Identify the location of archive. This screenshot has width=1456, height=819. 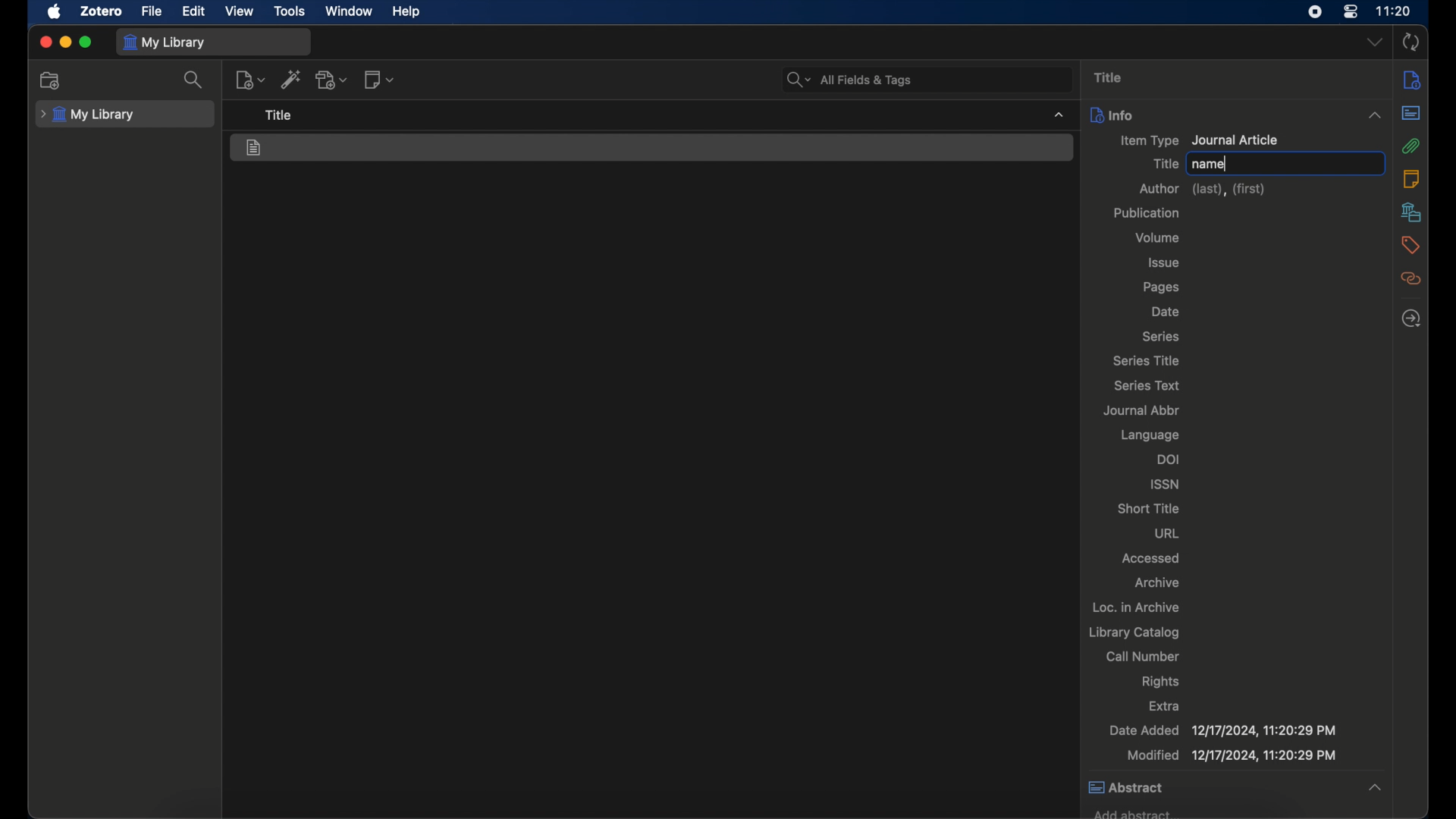
(1156, 582).